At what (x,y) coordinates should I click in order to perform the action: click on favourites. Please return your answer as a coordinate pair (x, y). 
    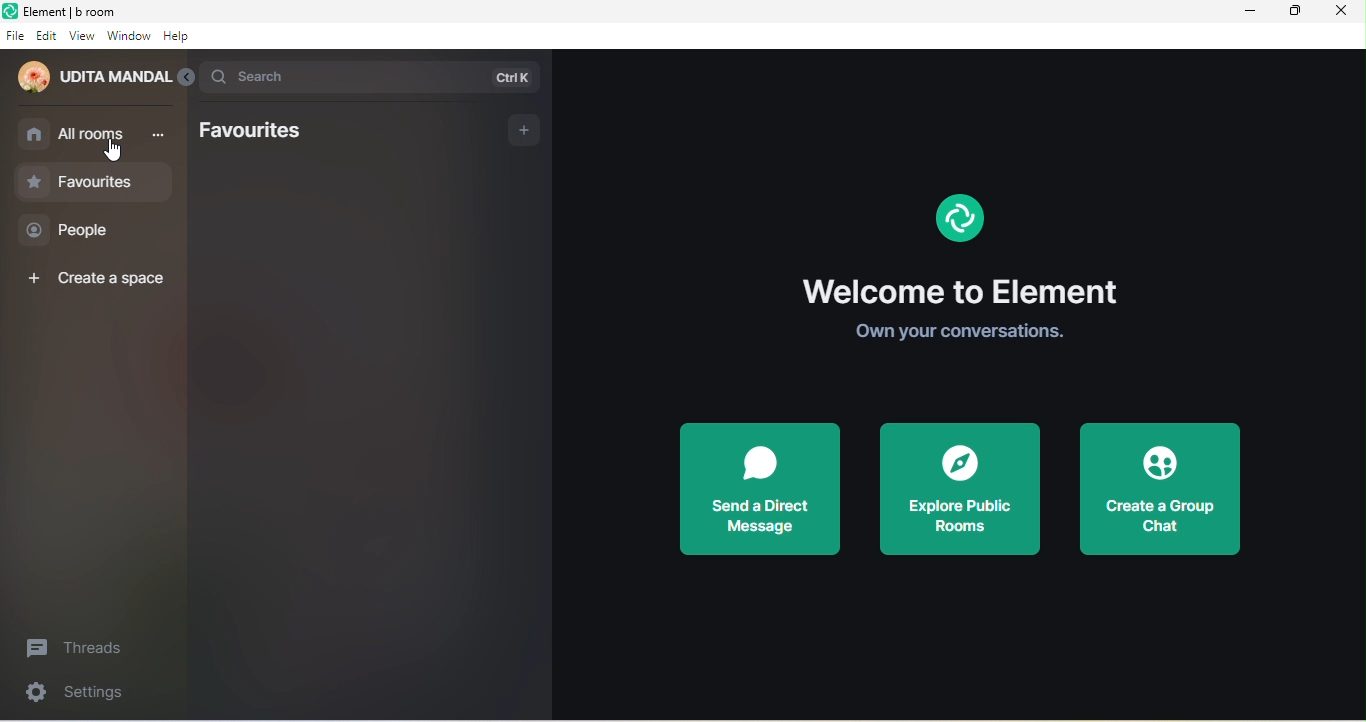
    Looking at the image, I should click on (252, 131).